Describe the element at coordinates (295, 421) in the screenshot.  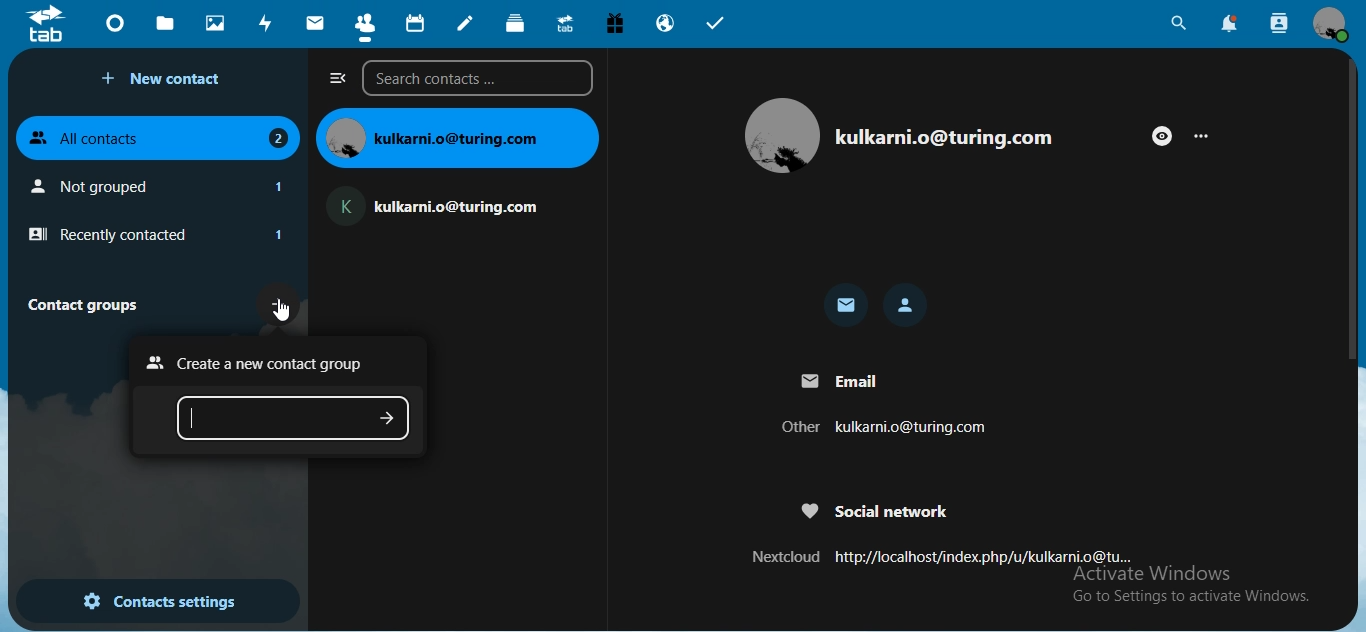
I see `textbox` at that location.